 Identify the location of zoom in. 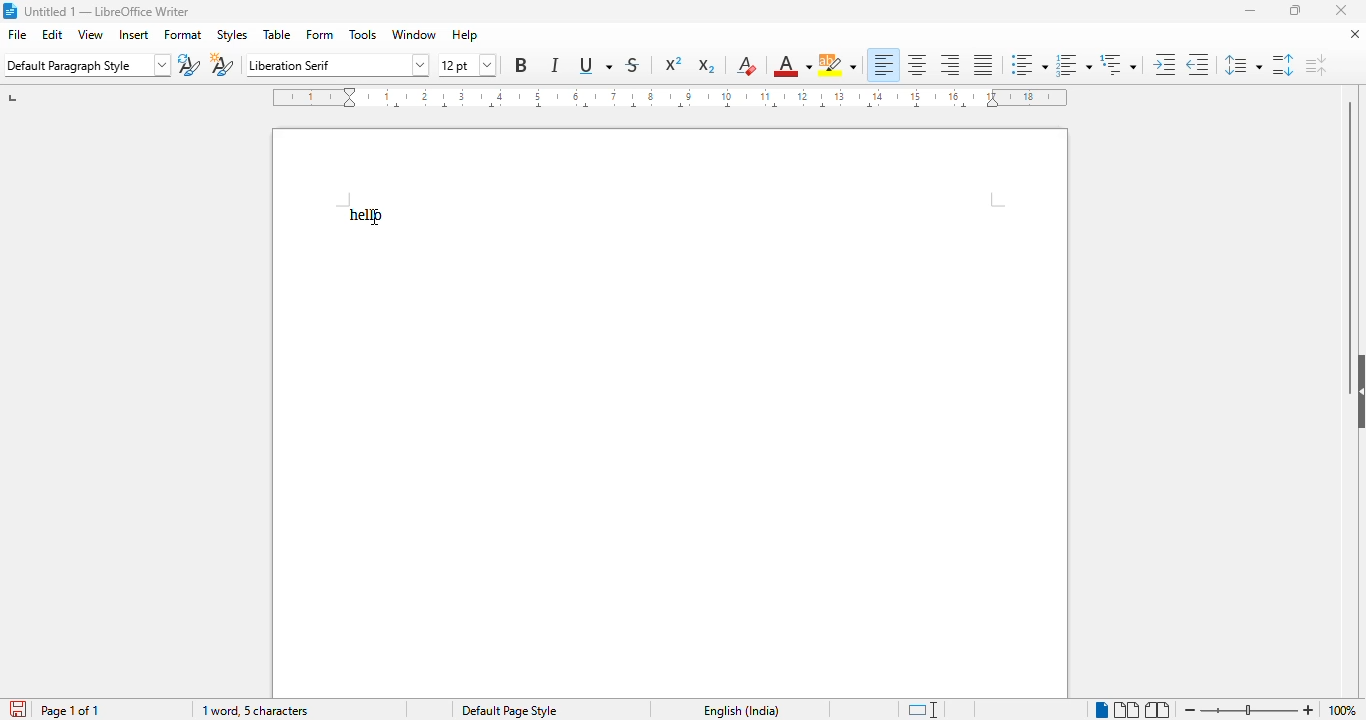
(1309, 710).